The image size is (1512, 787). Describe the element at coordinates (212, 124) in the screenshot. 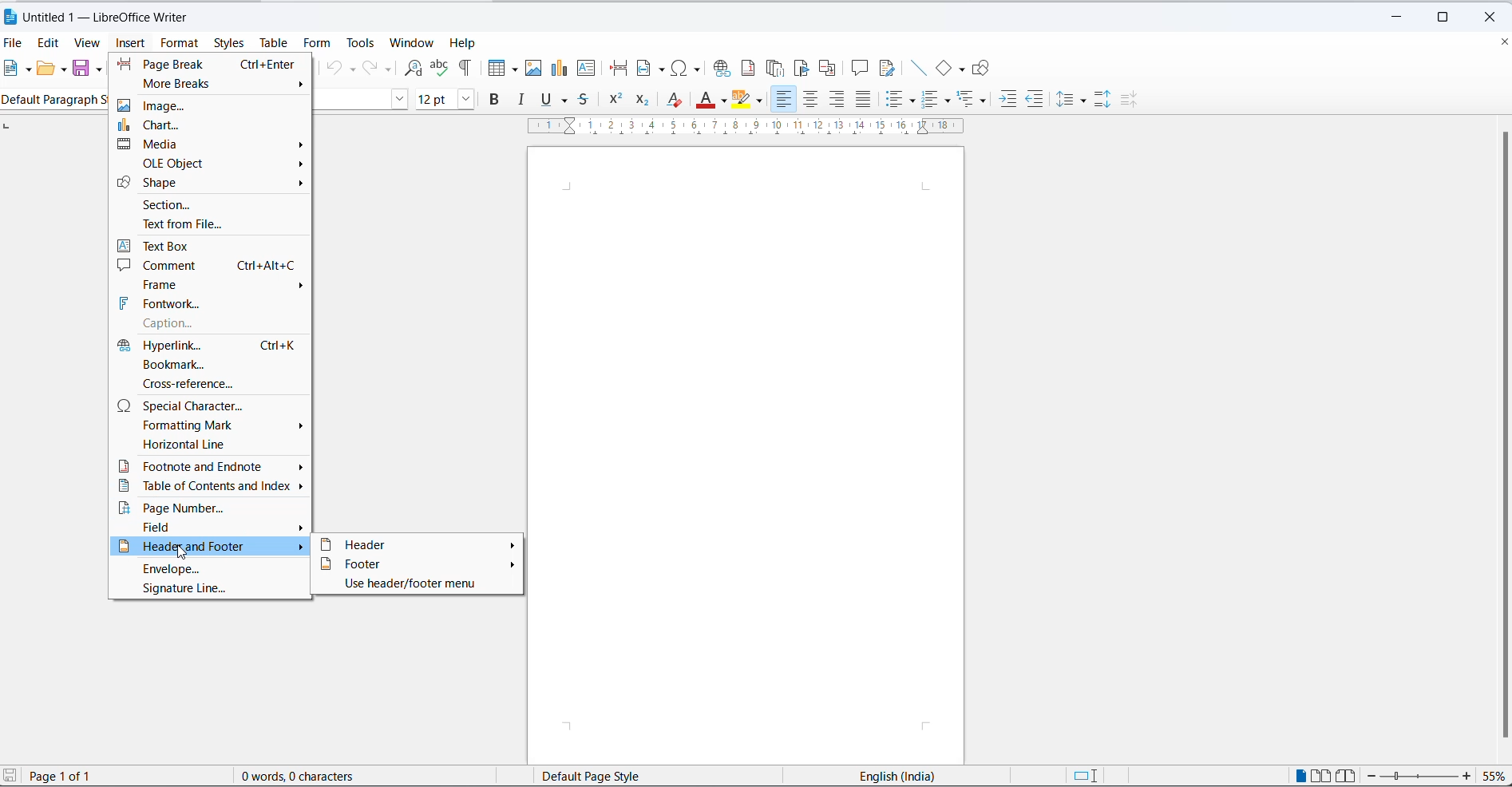

I see `chart` at that location.